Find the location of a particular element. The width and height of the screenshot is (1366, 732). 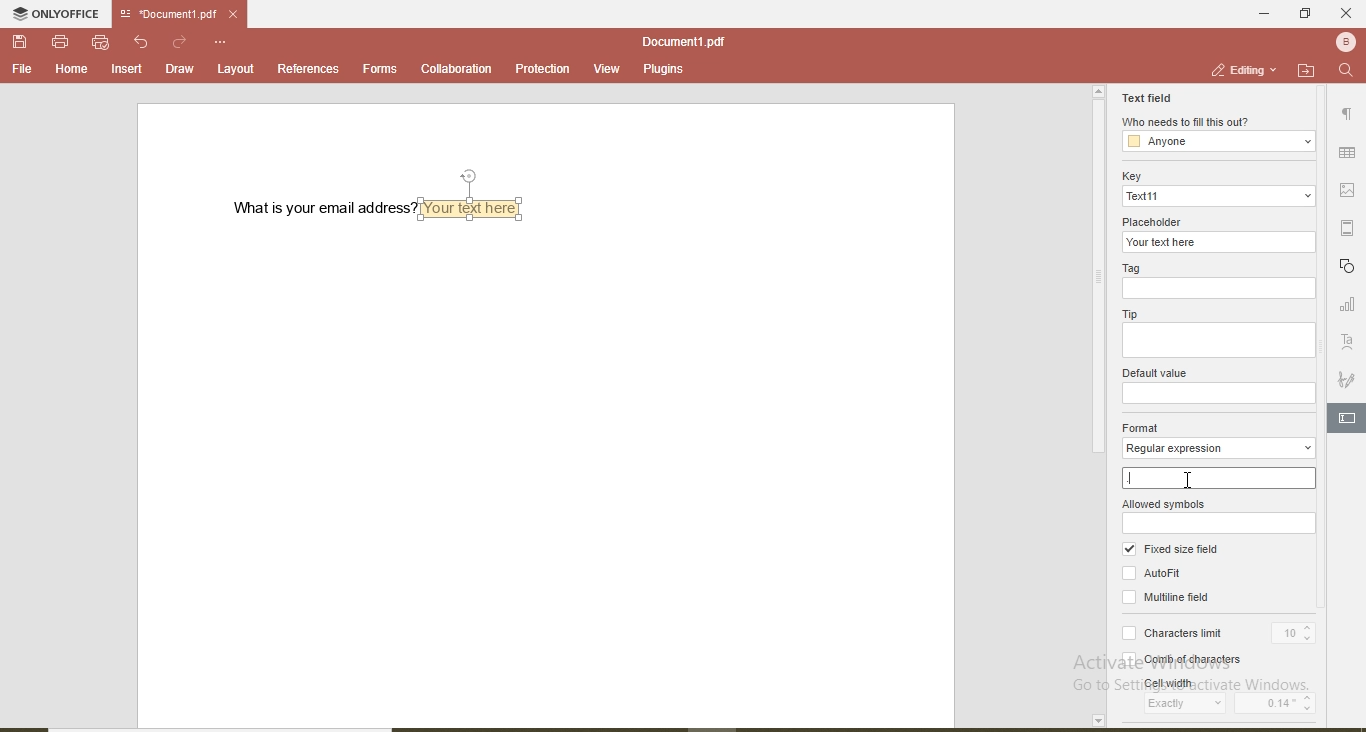

table is located at coordinates (1348, 154).